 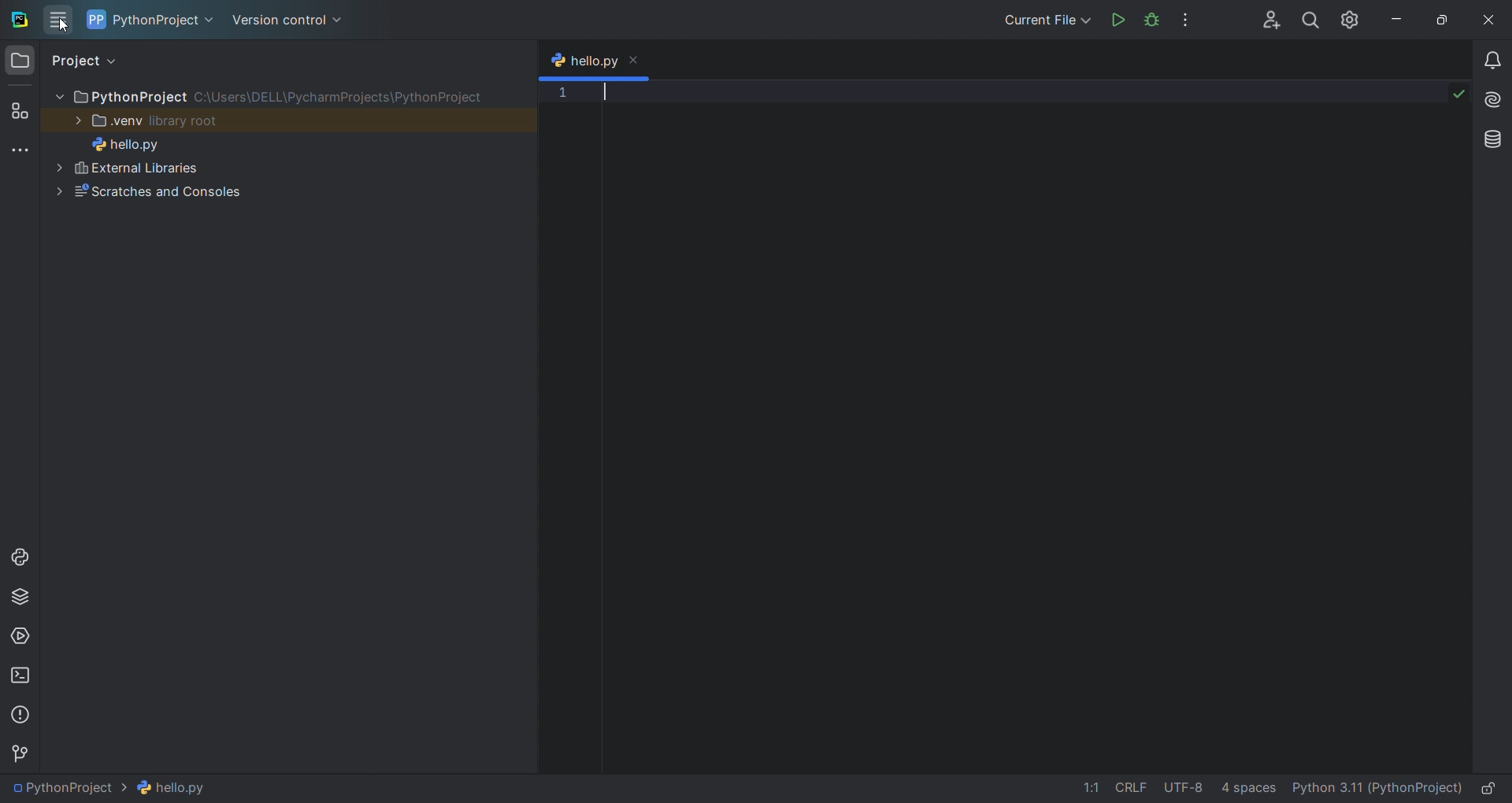 I want to click on hello.py, so click(x=139, y=142).